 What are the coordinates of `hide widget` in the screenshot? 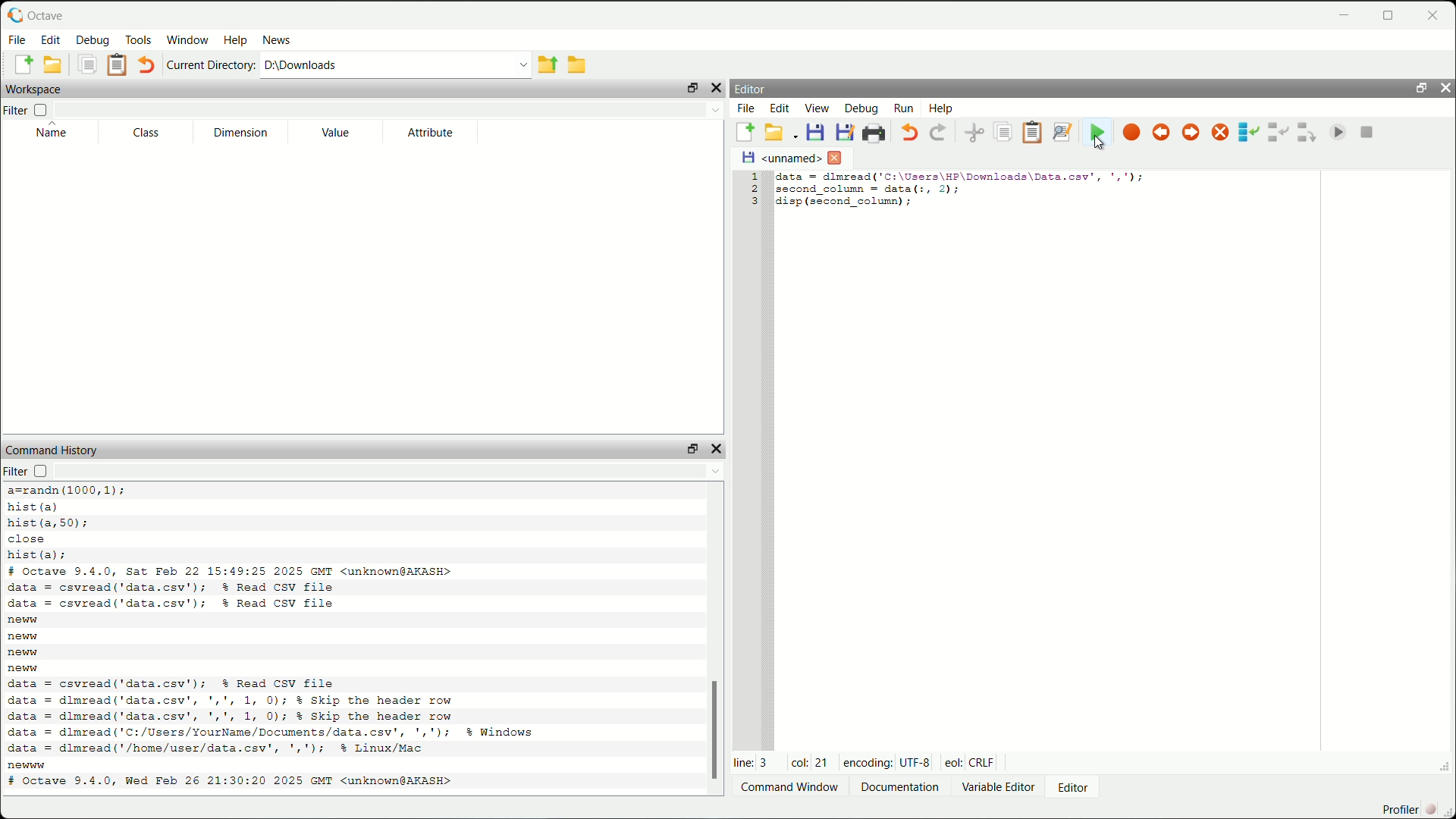 It's located at (720, 447).